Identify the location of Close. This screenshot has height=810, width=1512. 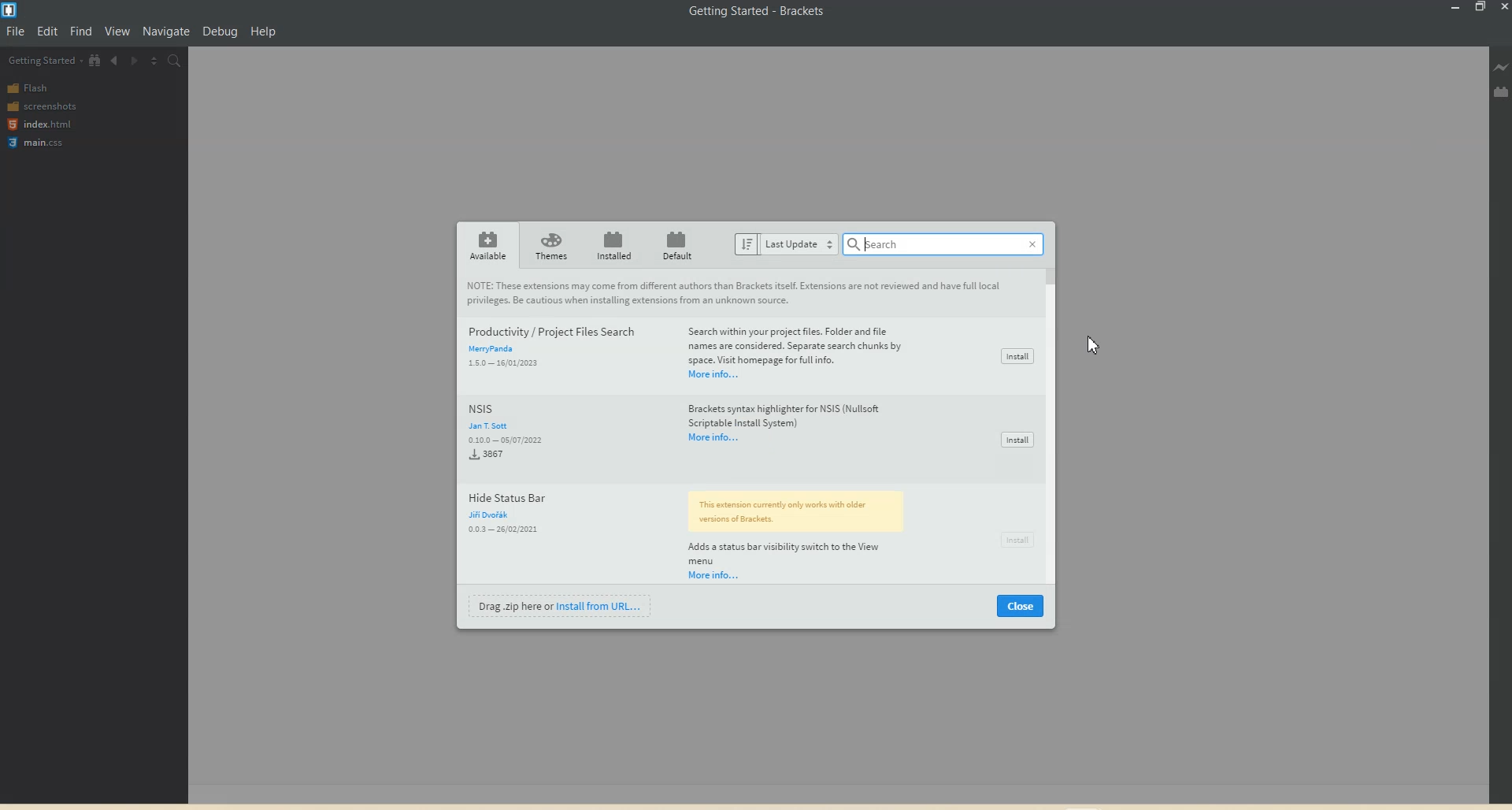
(1036, 243).